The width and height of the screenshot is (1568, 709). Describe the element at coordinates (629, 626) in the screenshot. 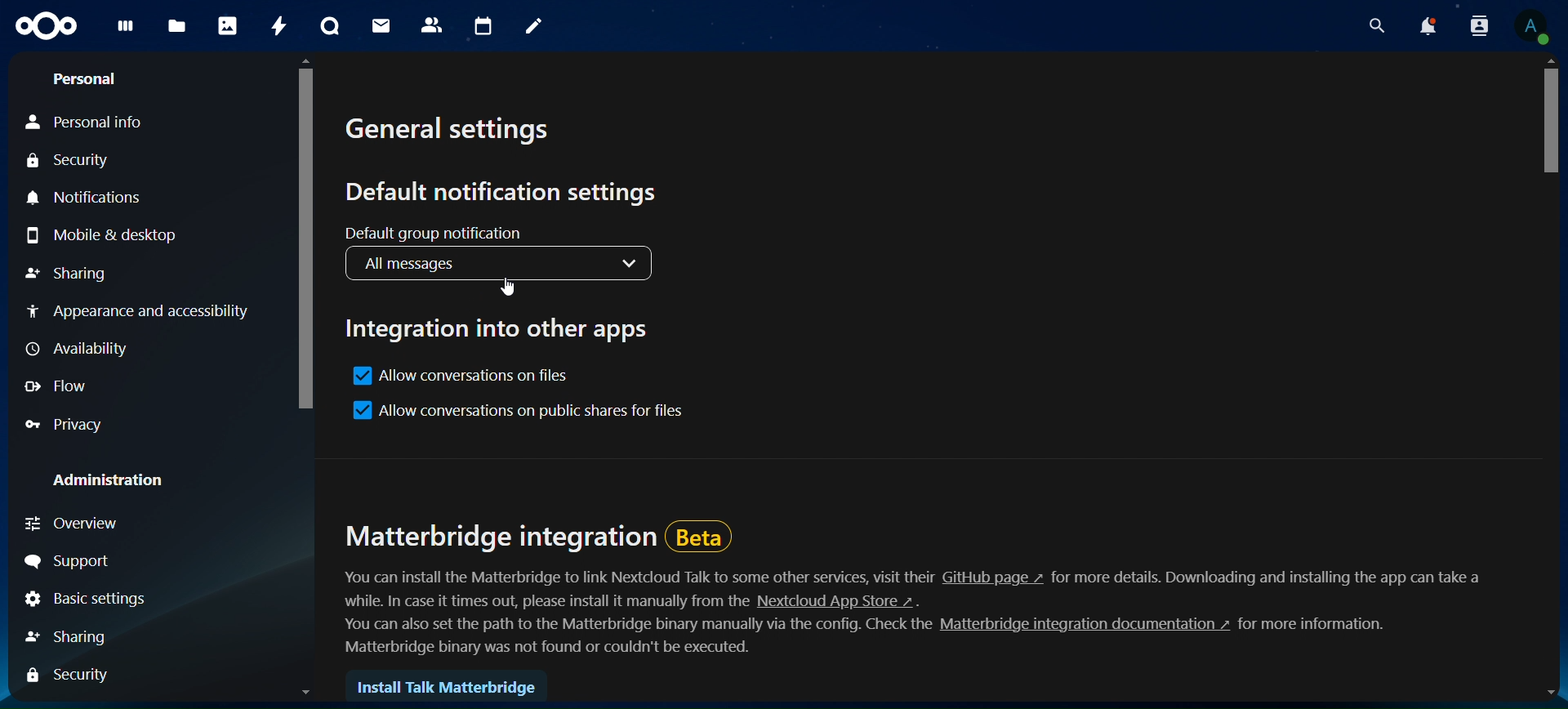

I see `text` at that location.